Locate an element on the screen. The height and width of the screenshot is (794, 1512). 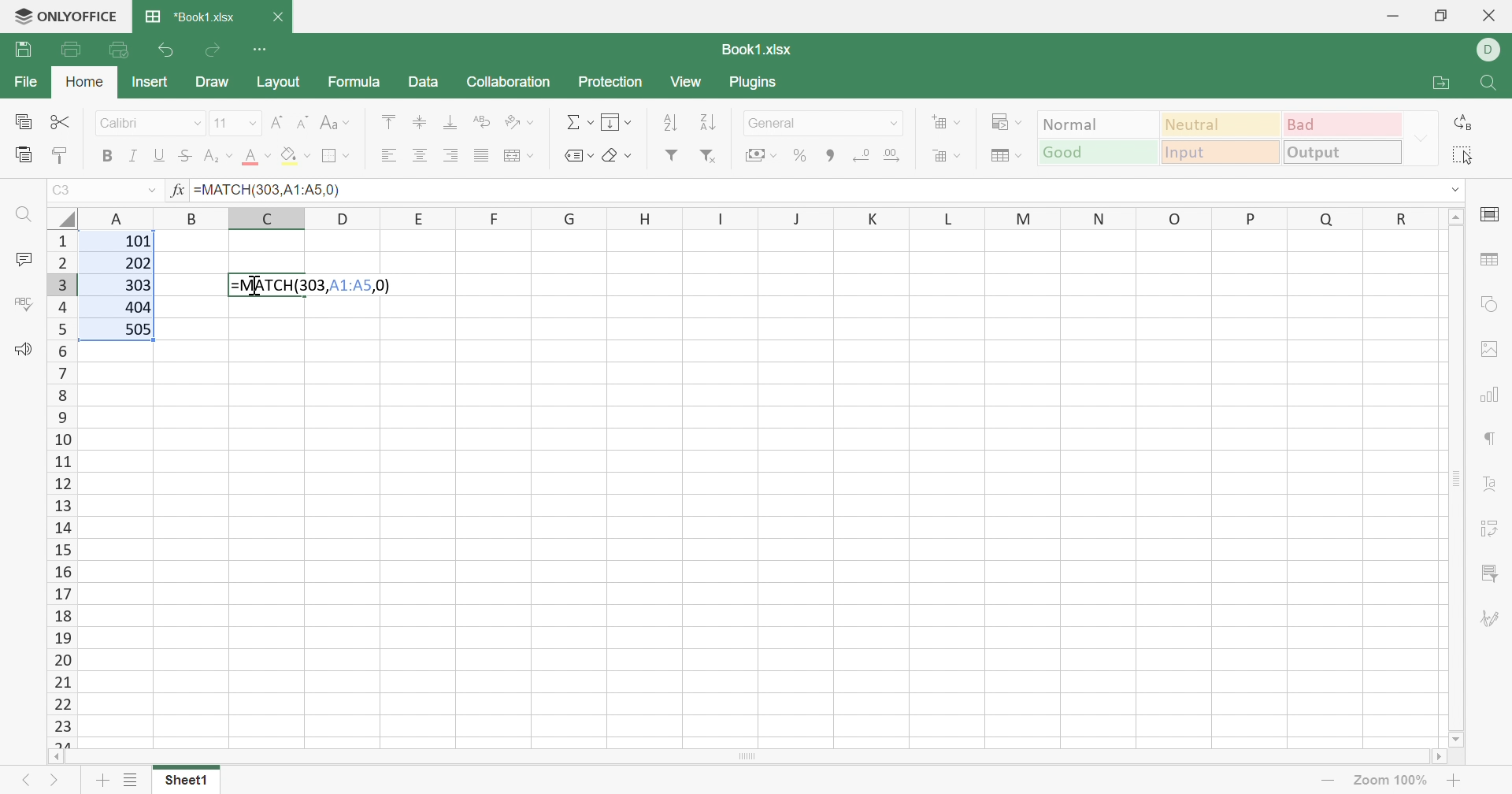
Save is located at coordinates (23, 51).